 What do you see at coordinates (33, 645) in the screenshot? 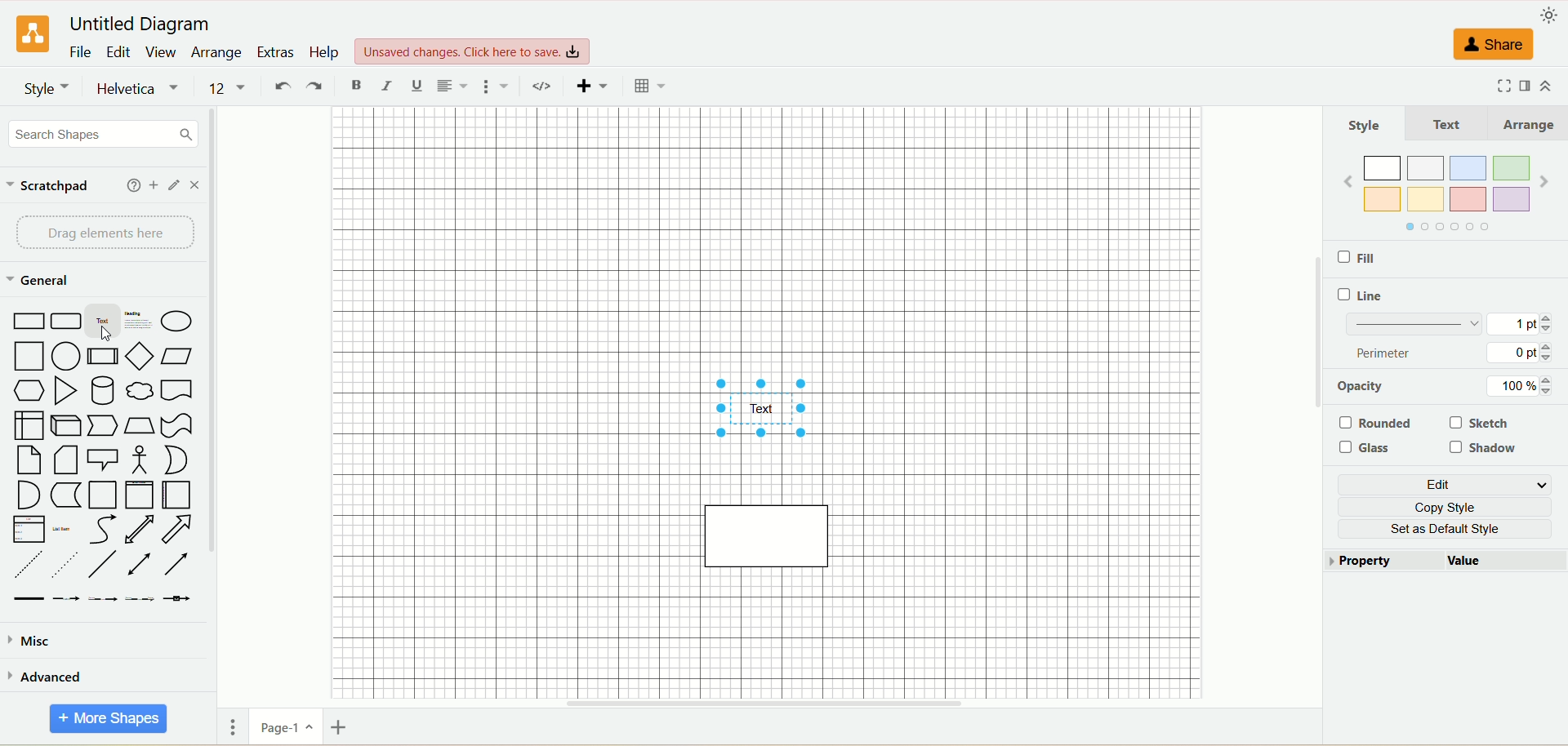
I see `misc` at bounding box center [33, 645].